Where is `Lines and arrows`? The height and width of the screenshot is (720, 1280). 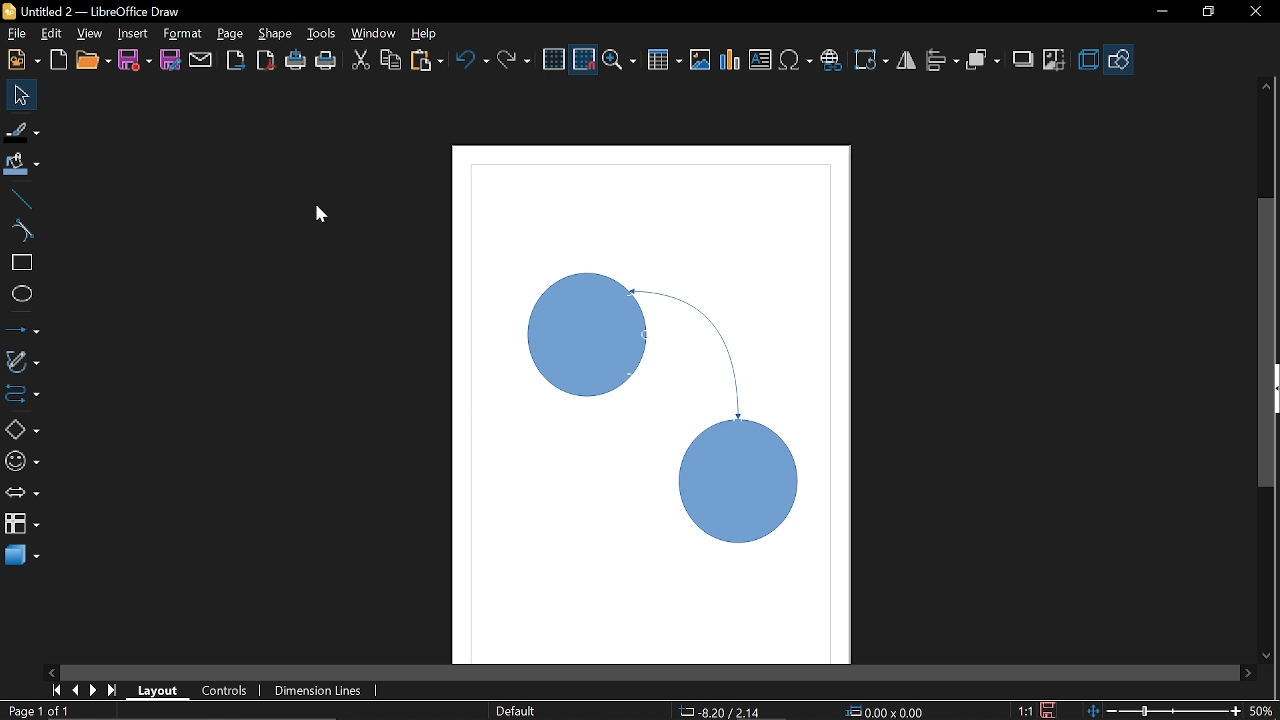 Lines and arrows is located at coordinates (22, 330).